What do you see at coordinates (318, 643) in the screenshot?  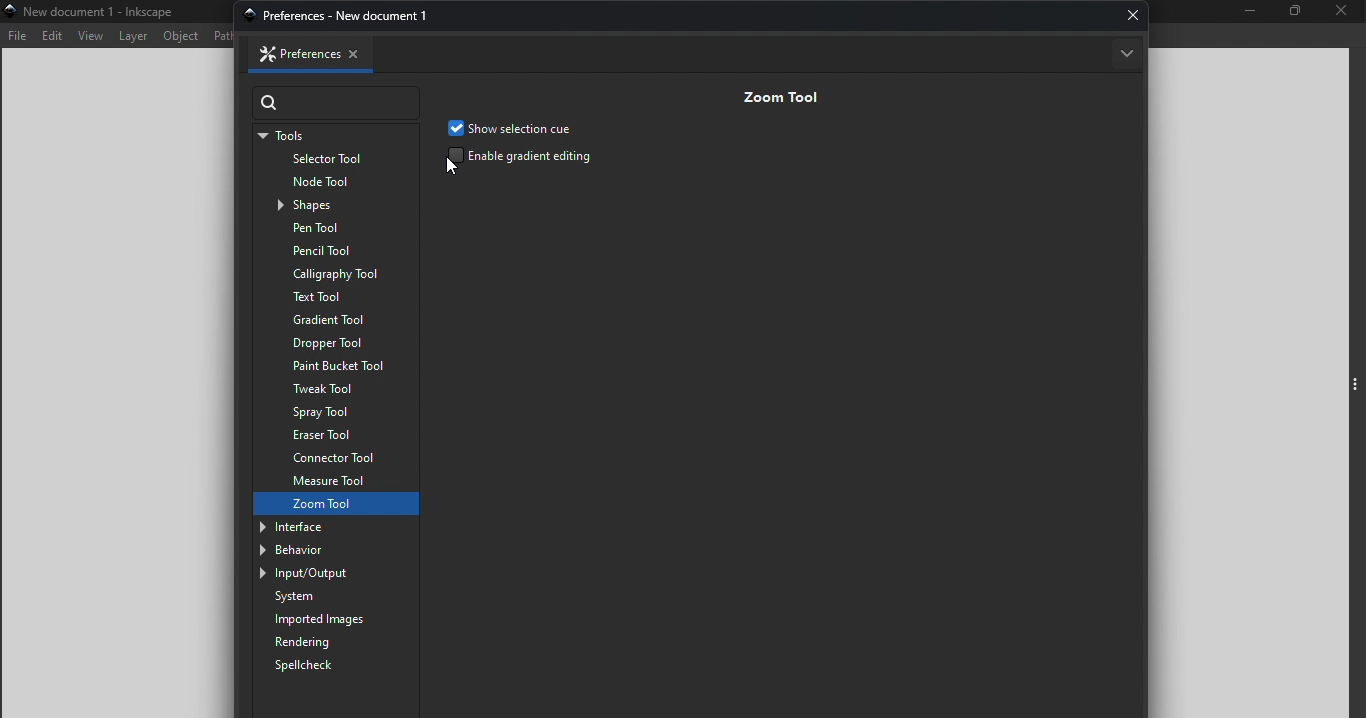 I see `Rendering` at bounding box center [318, 643].